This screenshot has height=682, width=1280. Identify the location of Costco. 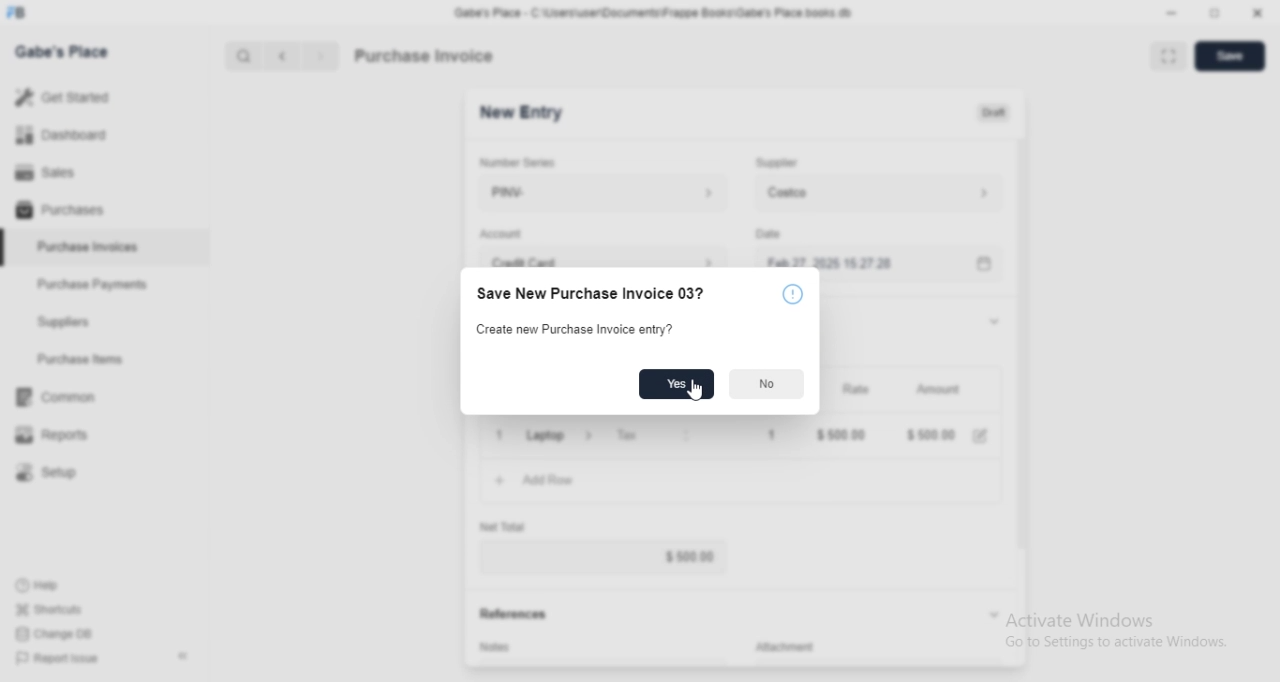
(879, 193).